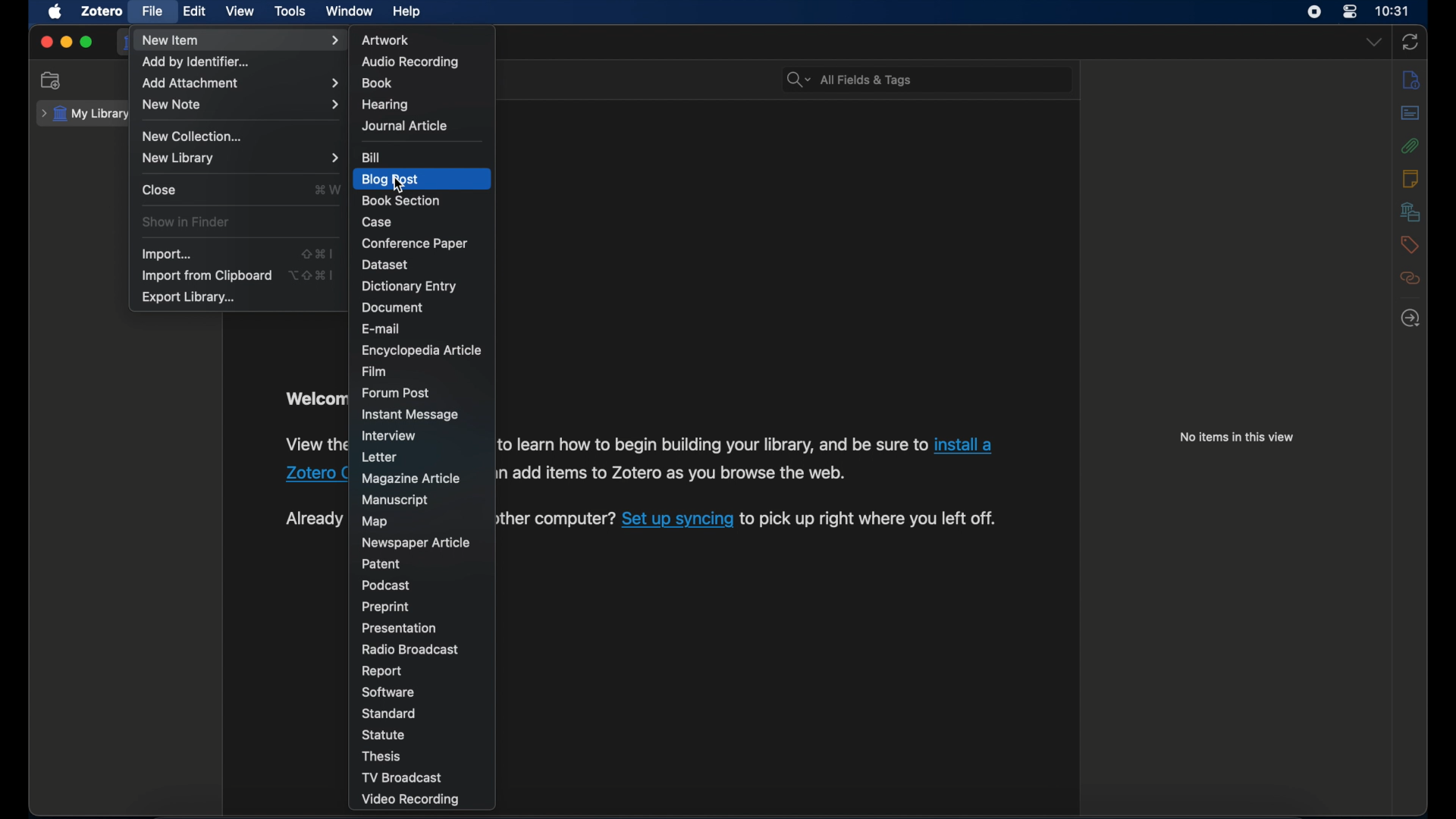 The height and width of the screenshot is (819, 1456). What do you see at coordinates (400, 628) in the screenshot?
I see `presentation` at bounding box center [400, 628].